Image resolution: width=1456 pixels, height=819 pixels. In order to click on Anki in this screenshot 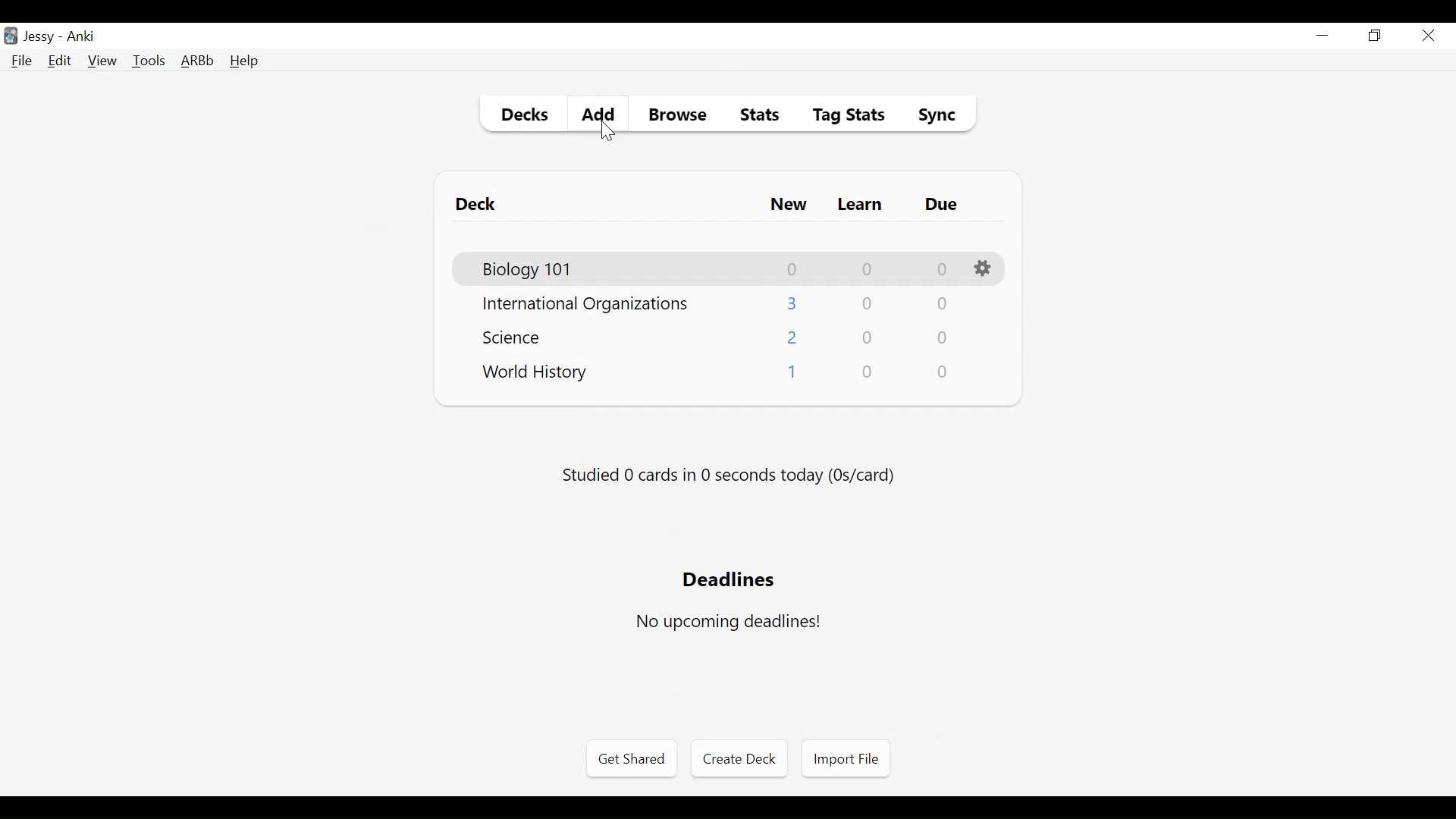, I will do `click(81, 36)`.